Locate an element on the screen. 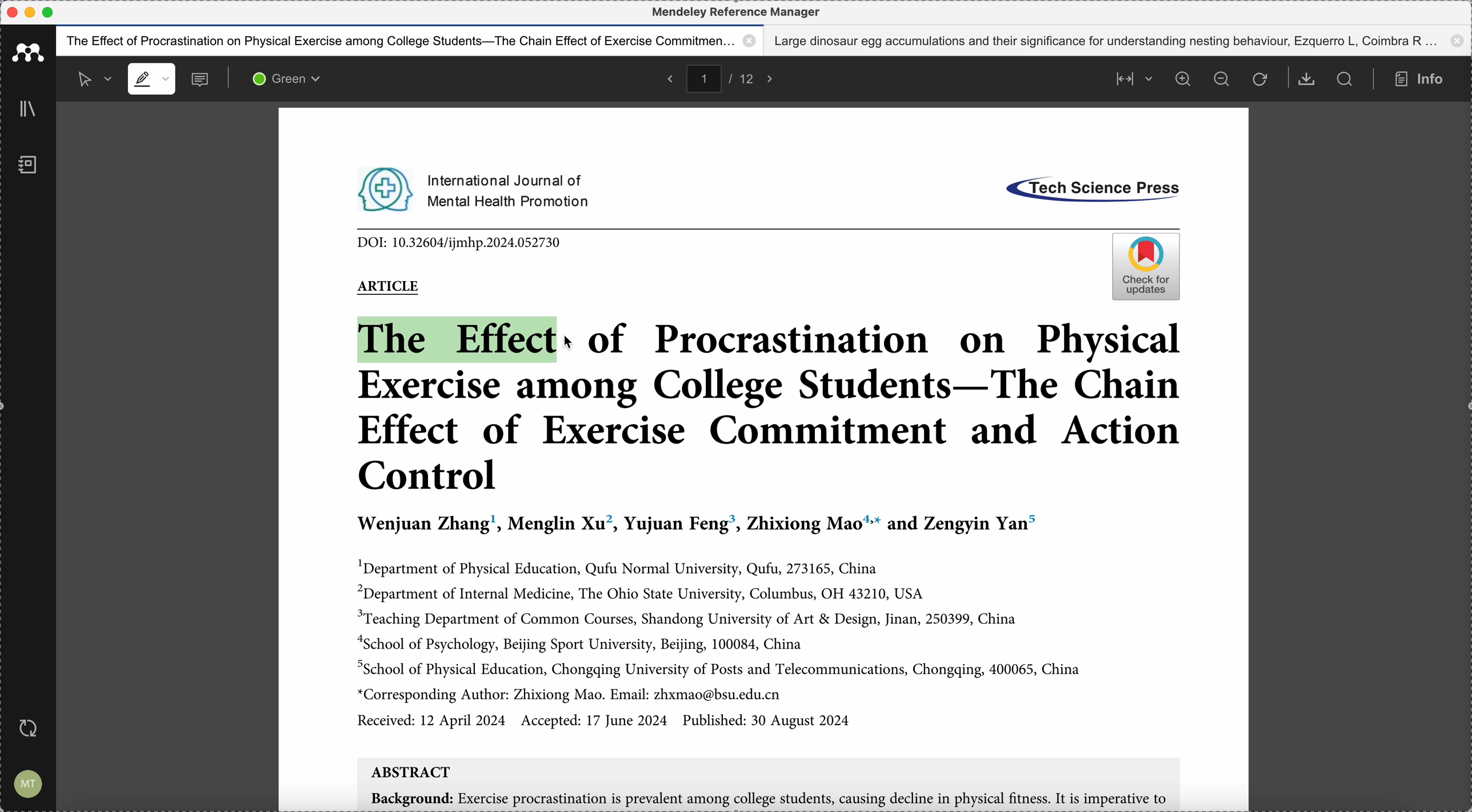 The width and height of the screenshot is (1472, 812). download document is located at coordinates (1307, 79).